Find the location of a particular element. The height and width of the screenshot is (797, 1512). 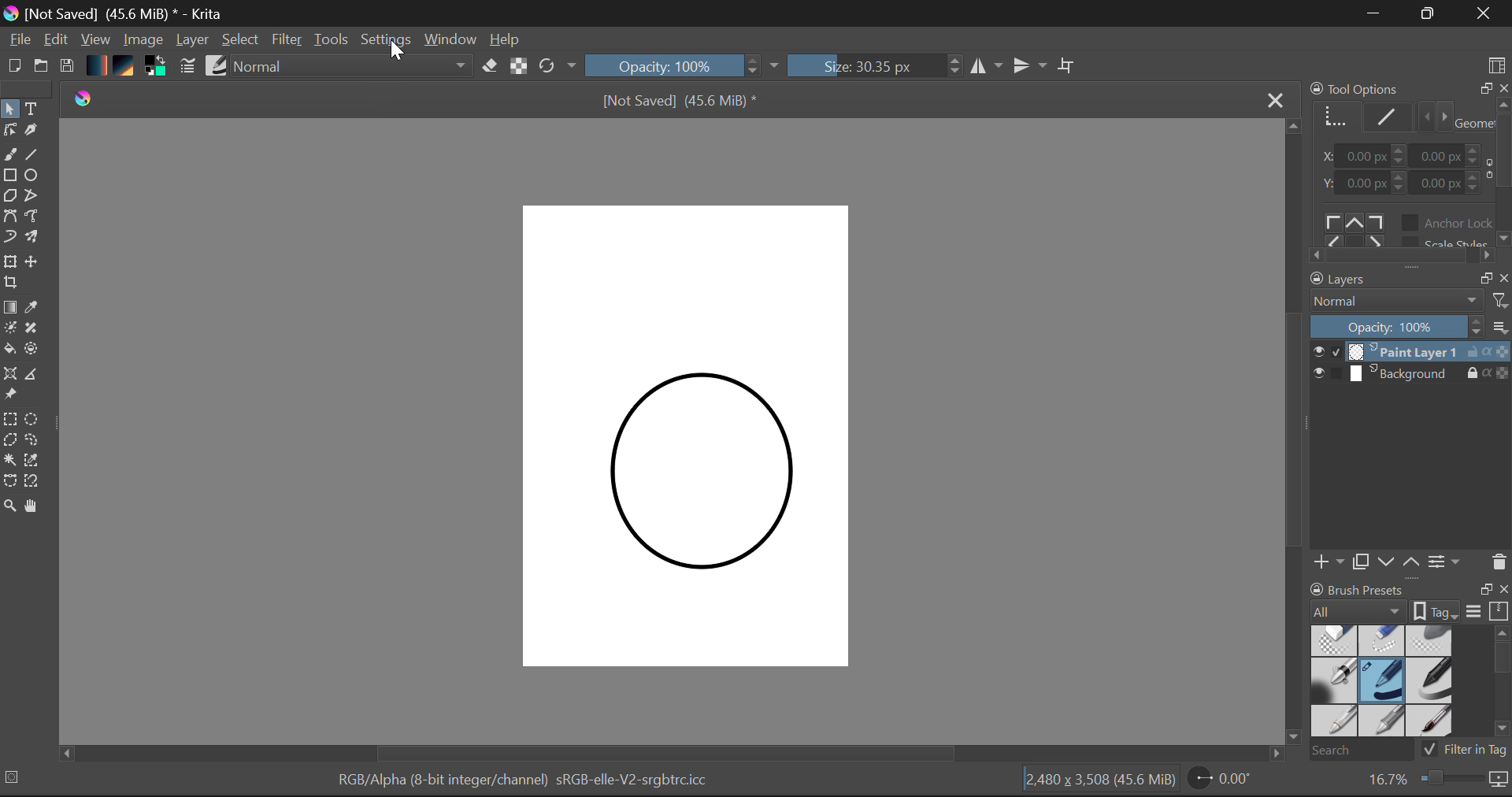

Lock Alpha is located at coordinates (518, 67).